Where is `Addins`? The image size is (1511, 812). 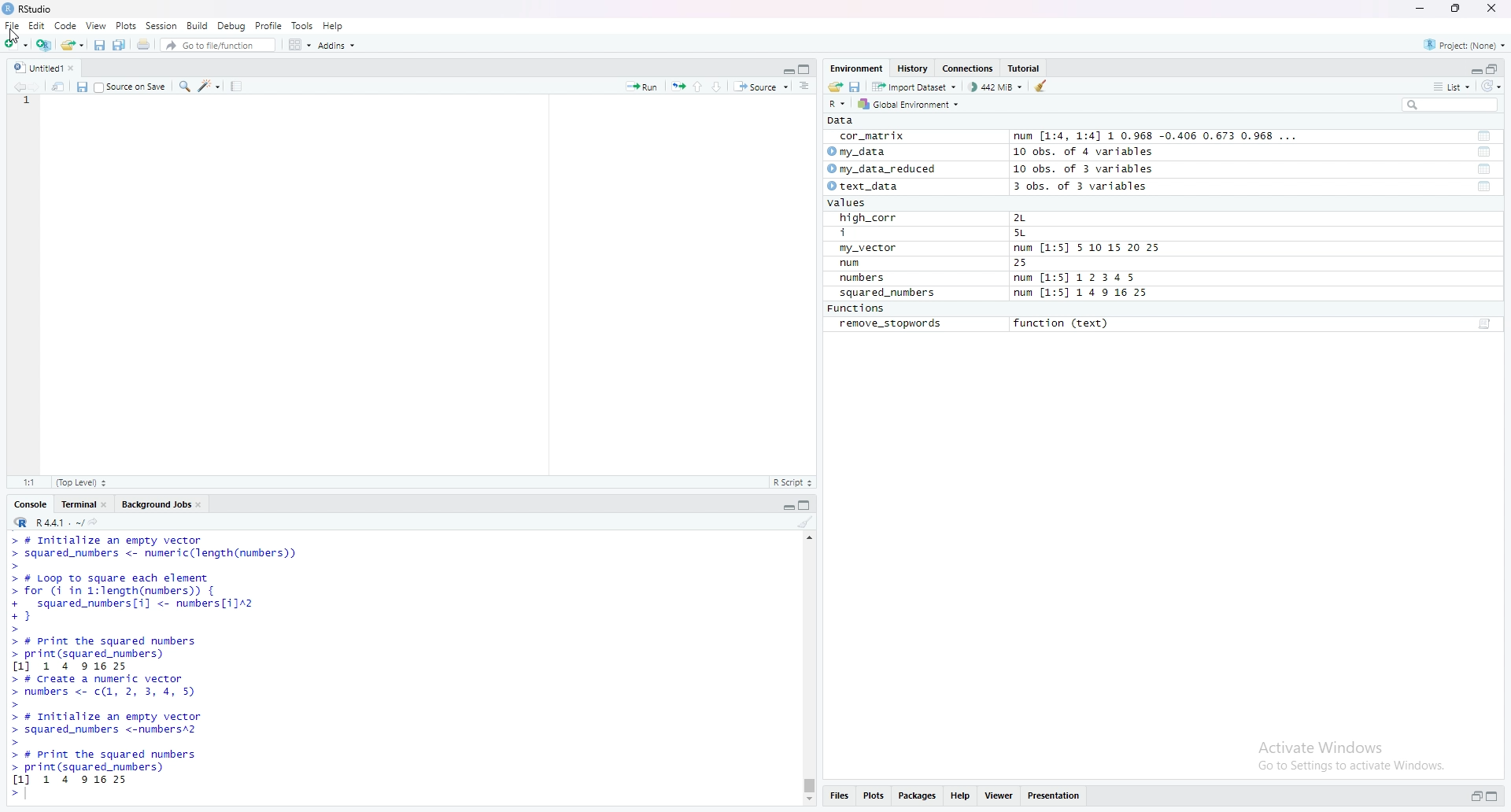
Addins is located at coordinates (338, 44).